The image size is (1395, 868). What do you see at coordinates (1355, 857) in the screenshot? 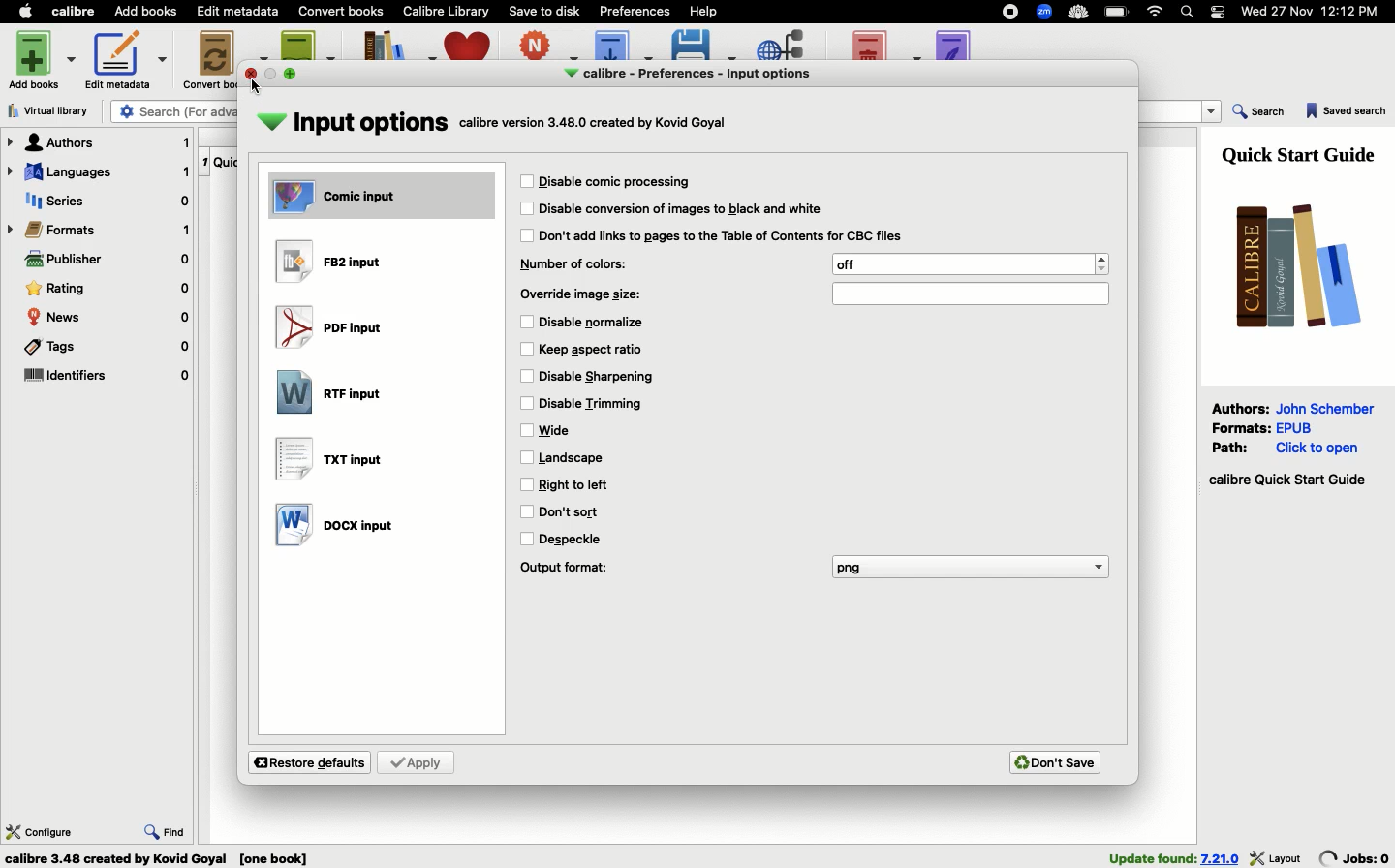
I see `jobs` at bounding box center [1355, 857].